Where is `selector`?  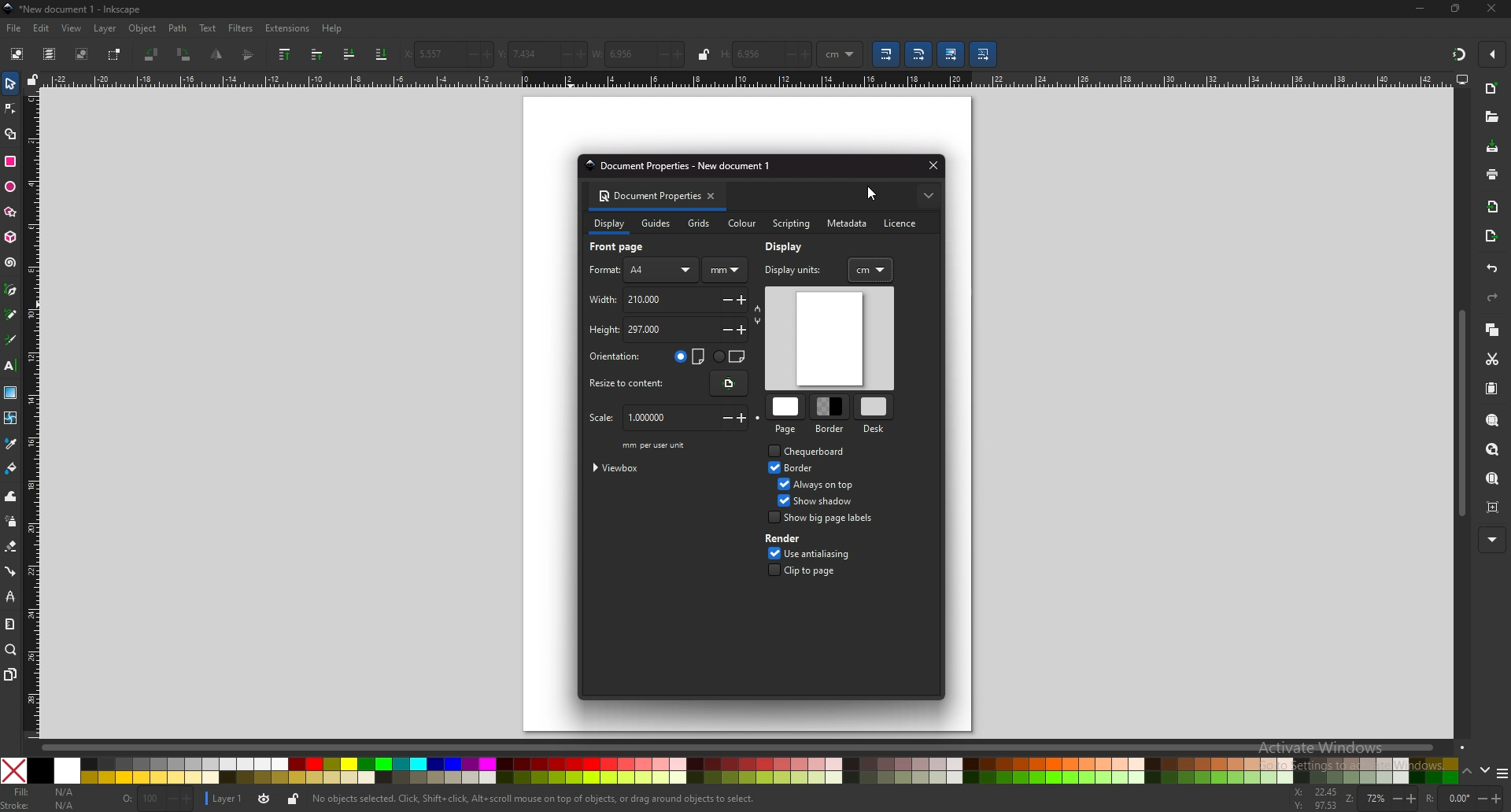
selector is located at coordinates (10, 83).